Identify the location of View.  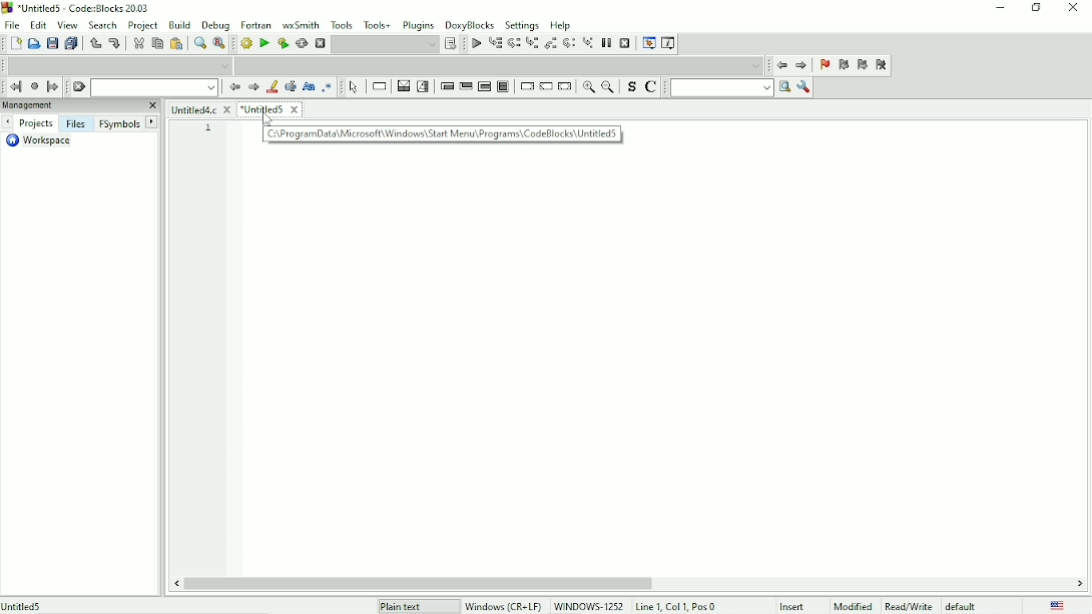
(67, 26).